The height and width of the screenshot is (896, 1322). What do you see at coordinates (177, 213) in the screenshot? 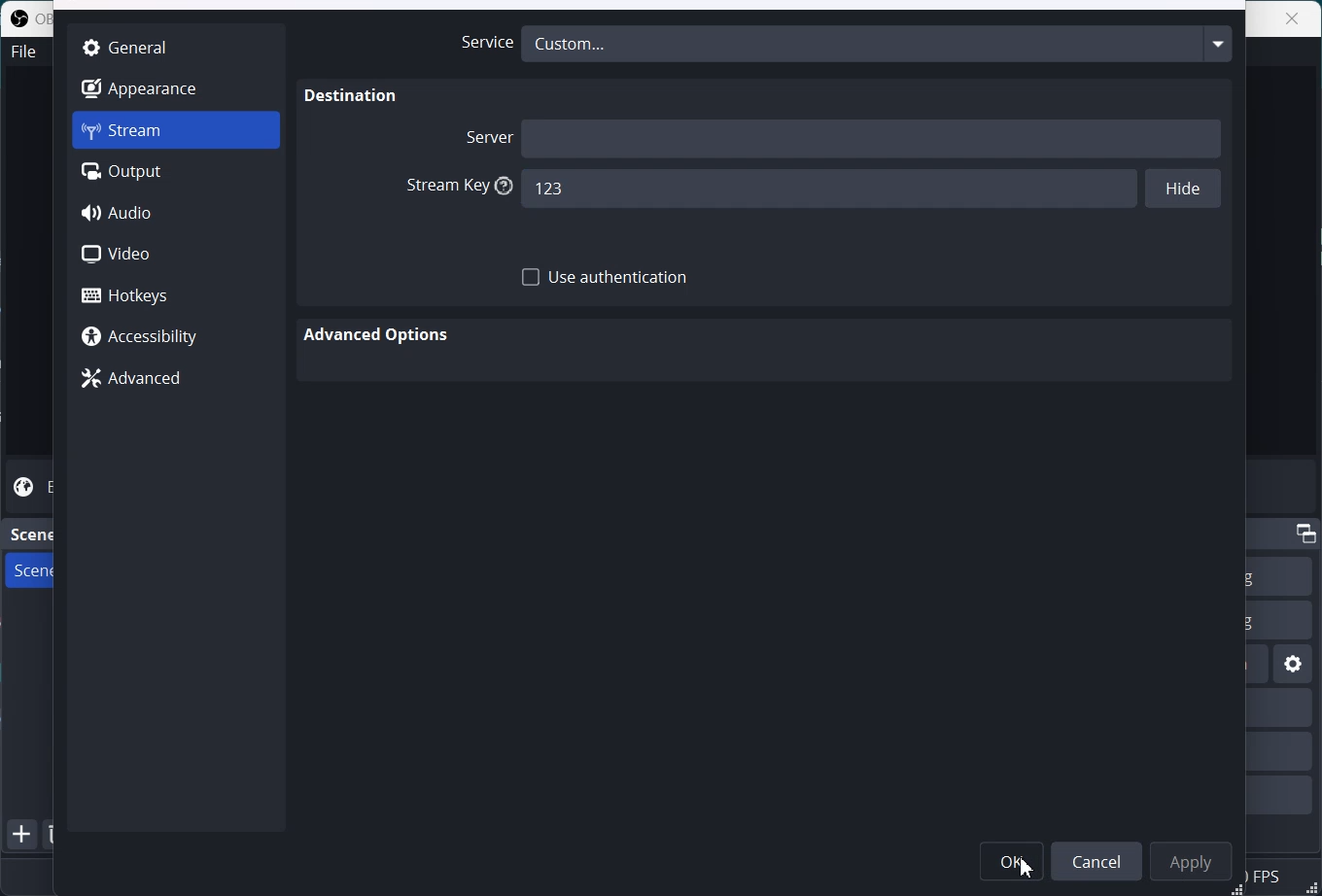
I see `Audio` at bounding box center [177, 213].